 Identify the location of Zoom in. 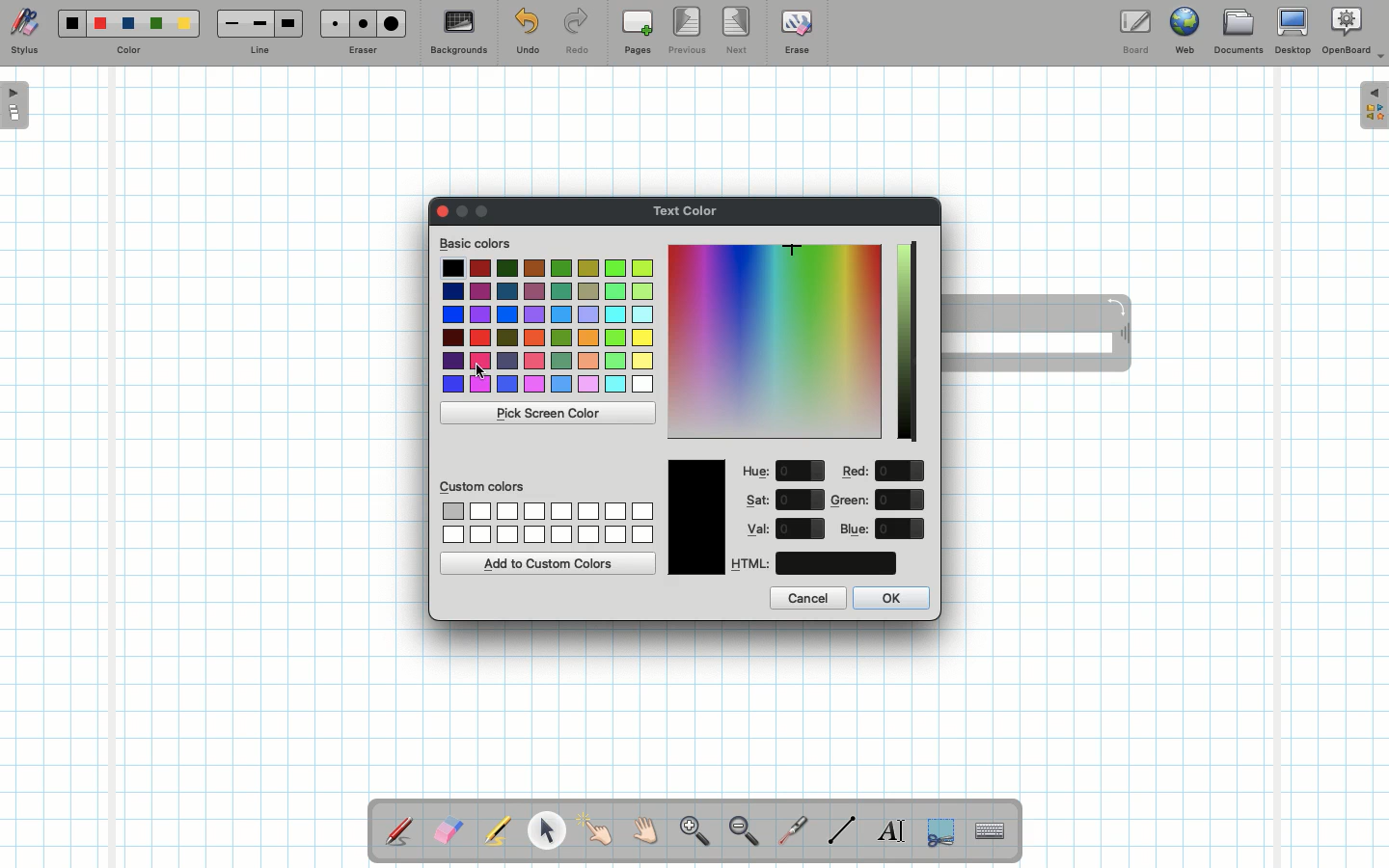
(690, 833).